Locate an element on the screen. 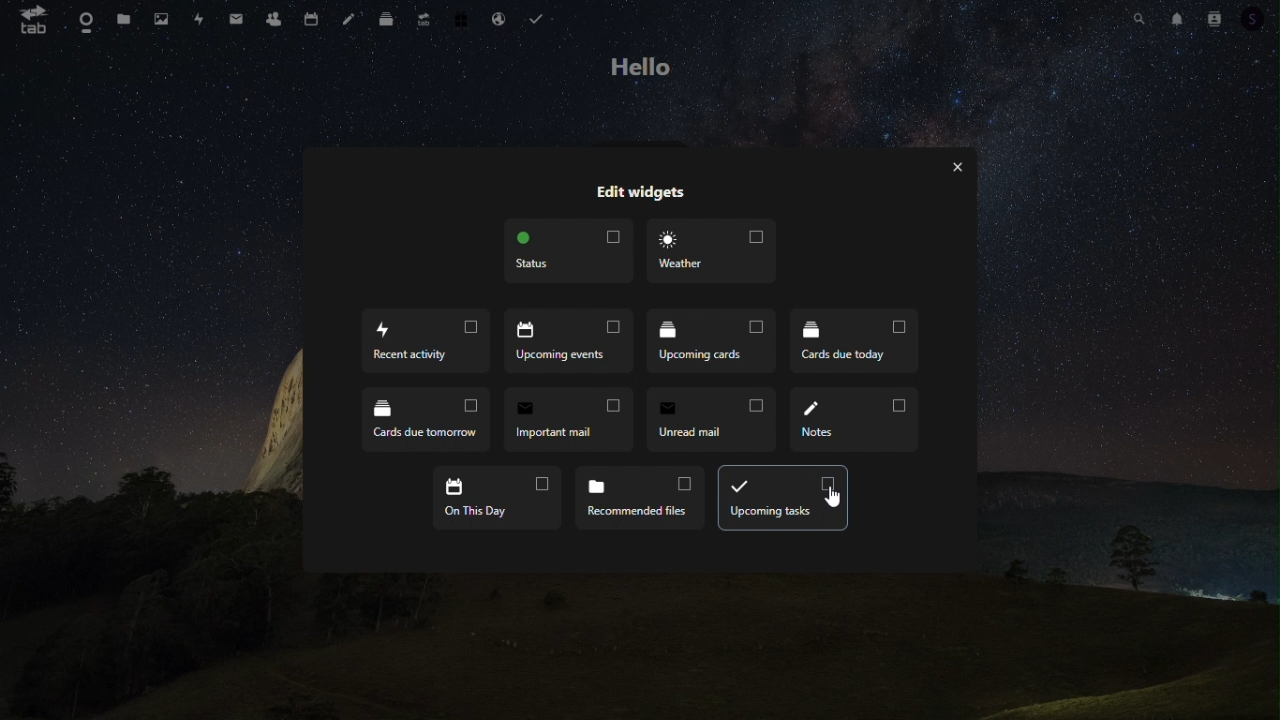 Image resolution: width=1280 pixels, height=720 pixels. calendar is located at coordinates (314, 19).